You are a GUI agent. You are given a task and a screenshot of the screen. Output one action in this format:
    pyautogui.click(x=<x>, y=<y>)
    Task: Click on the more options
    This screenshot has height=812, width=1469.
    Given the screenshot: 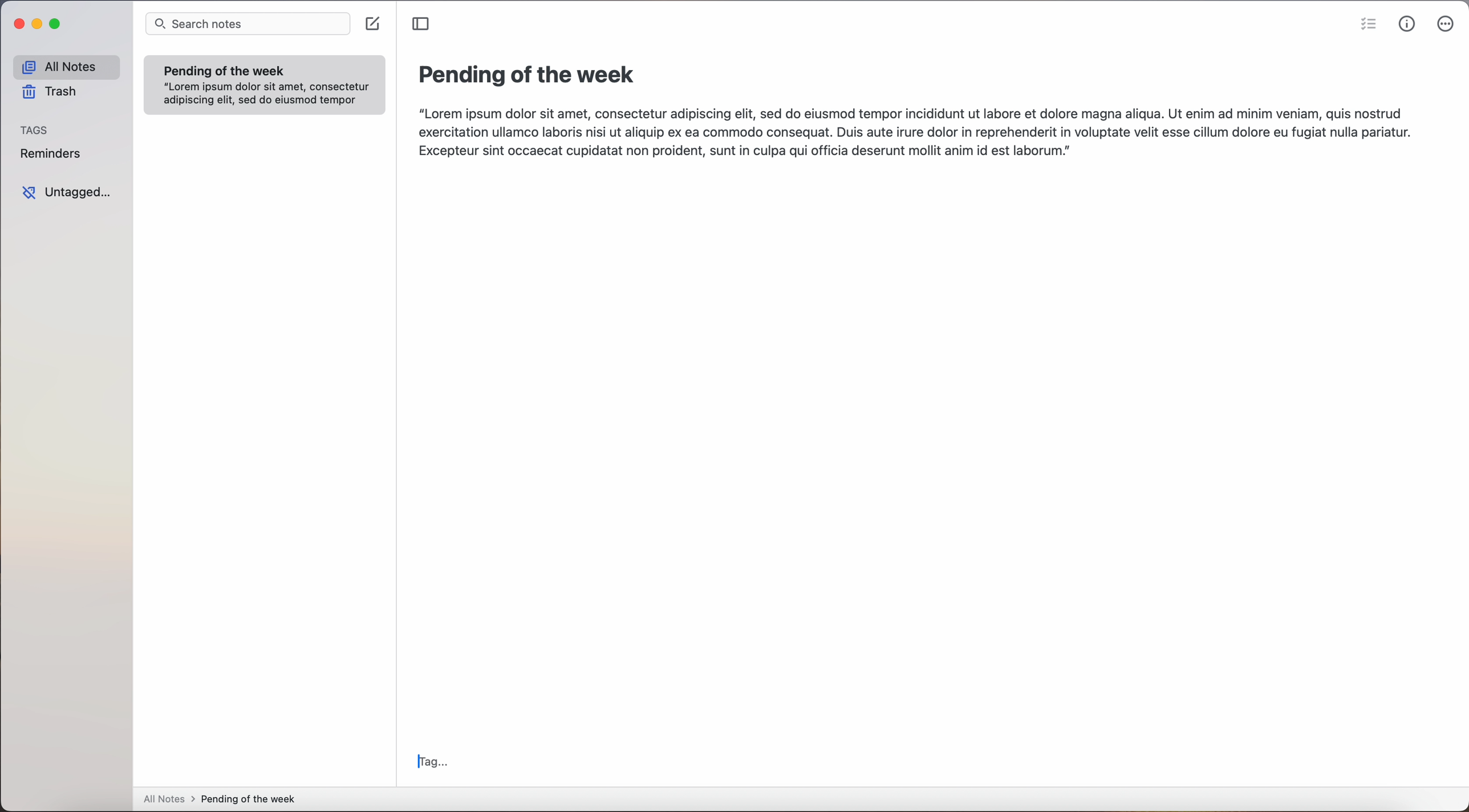 What is the action you would take?
    pyautogui.click(x=1447, y=26)
    